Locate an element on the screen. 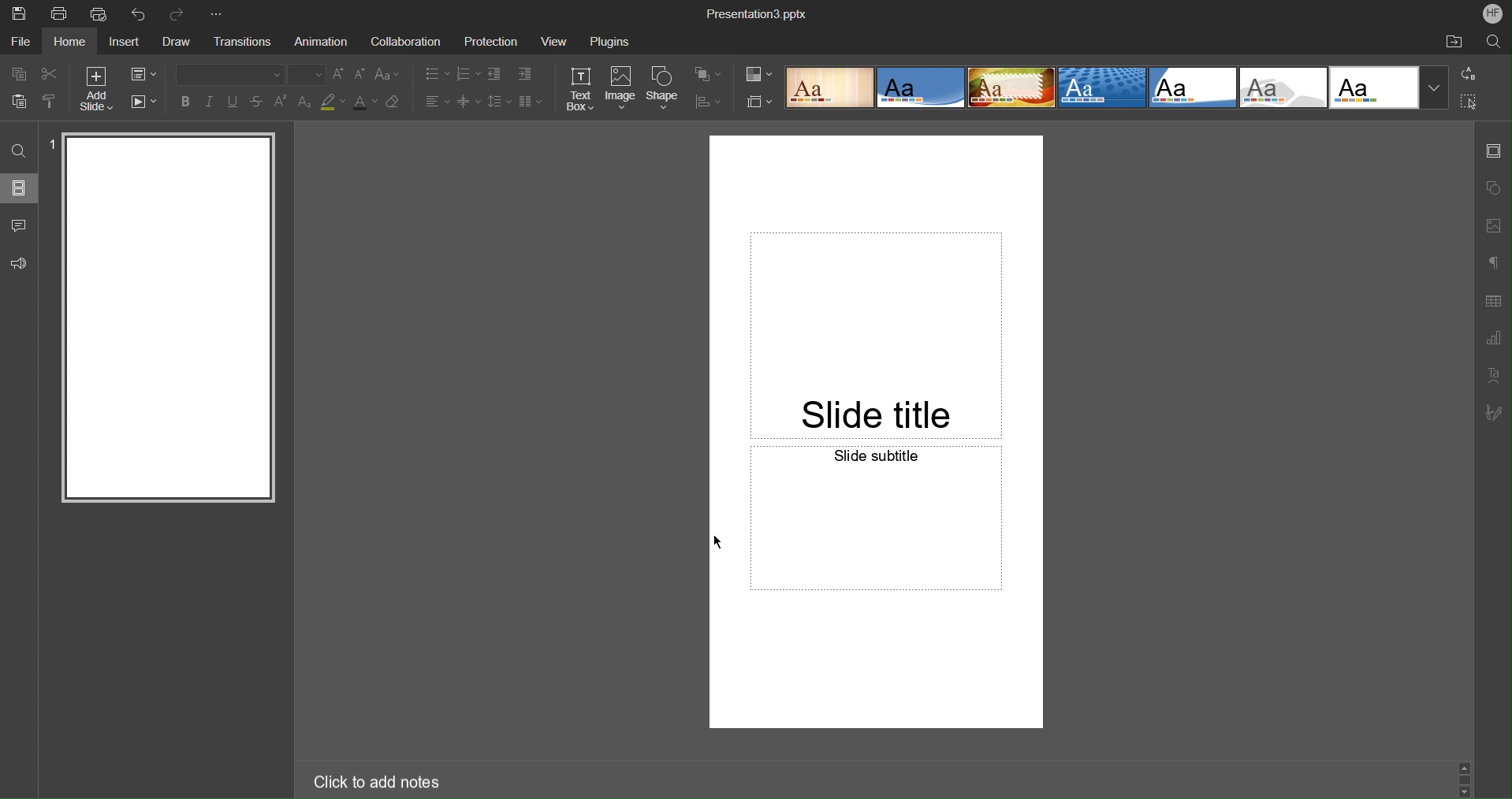 The image size is (1512, 799). Redo is located at coordinates (181, 11).